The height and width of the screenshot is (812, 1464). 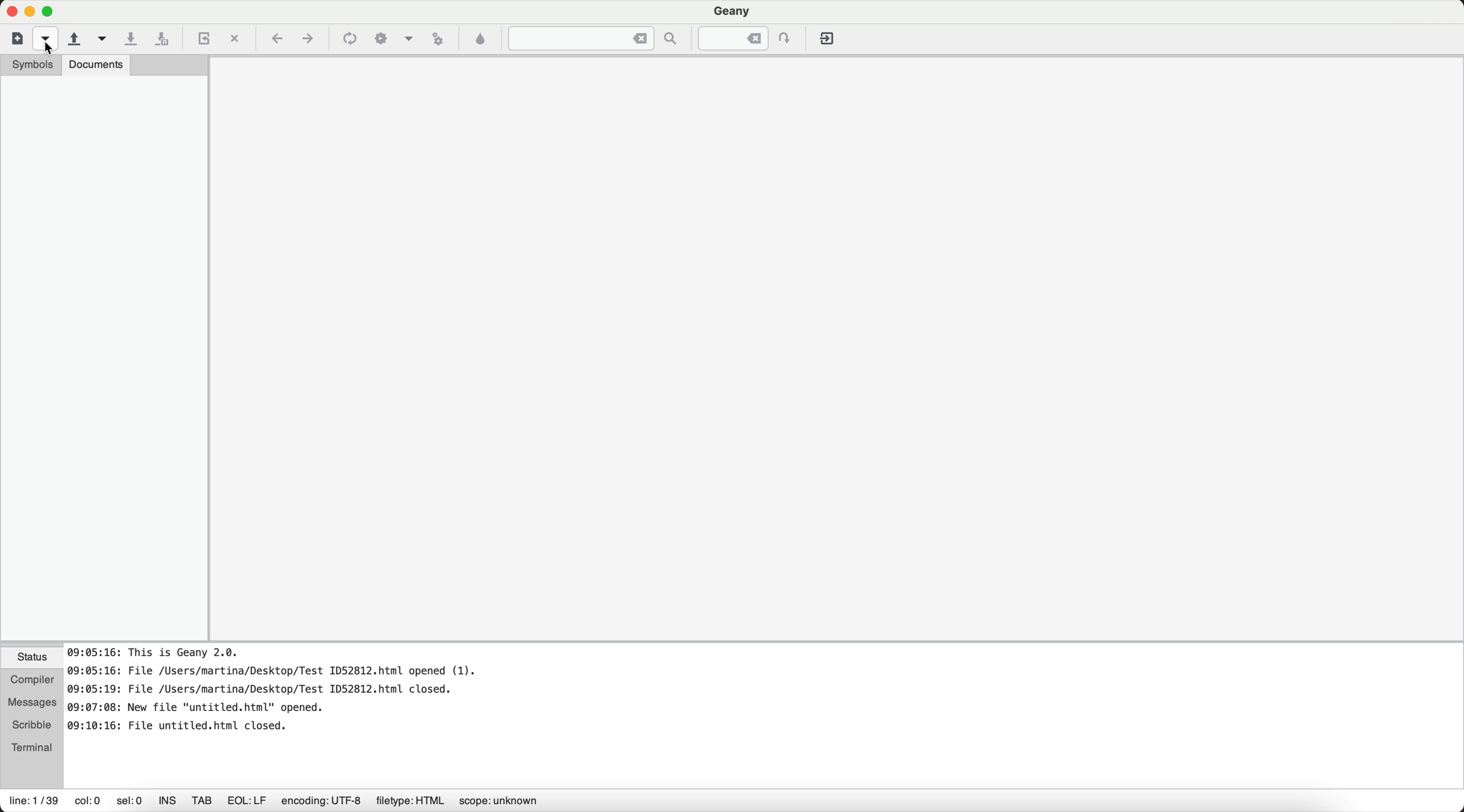 I want to click on sidebar, so click(x=105, y=359).